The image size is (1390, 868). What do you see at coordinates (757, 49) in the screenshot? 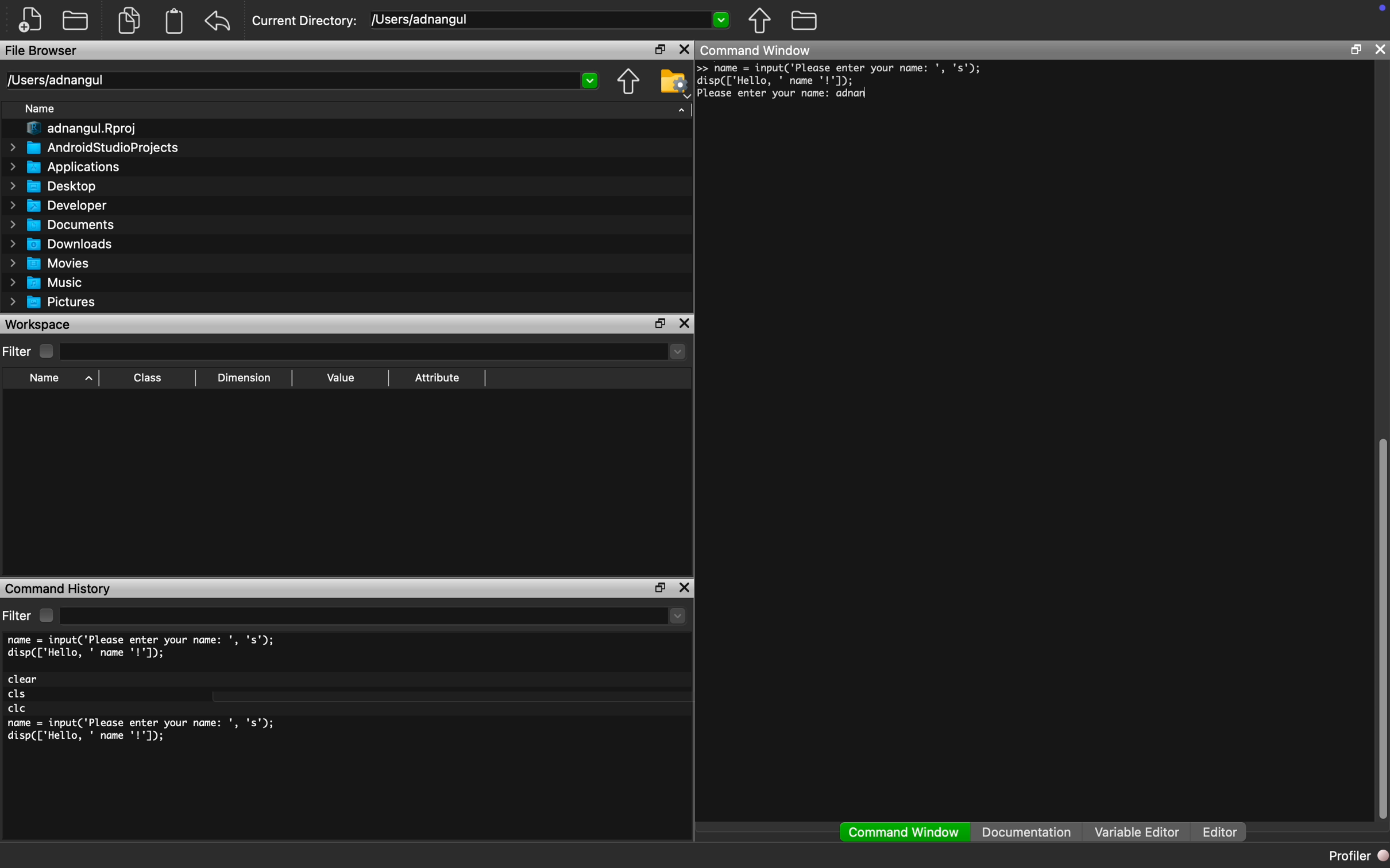
I see `Command Window` at bounding box center [757, 49].